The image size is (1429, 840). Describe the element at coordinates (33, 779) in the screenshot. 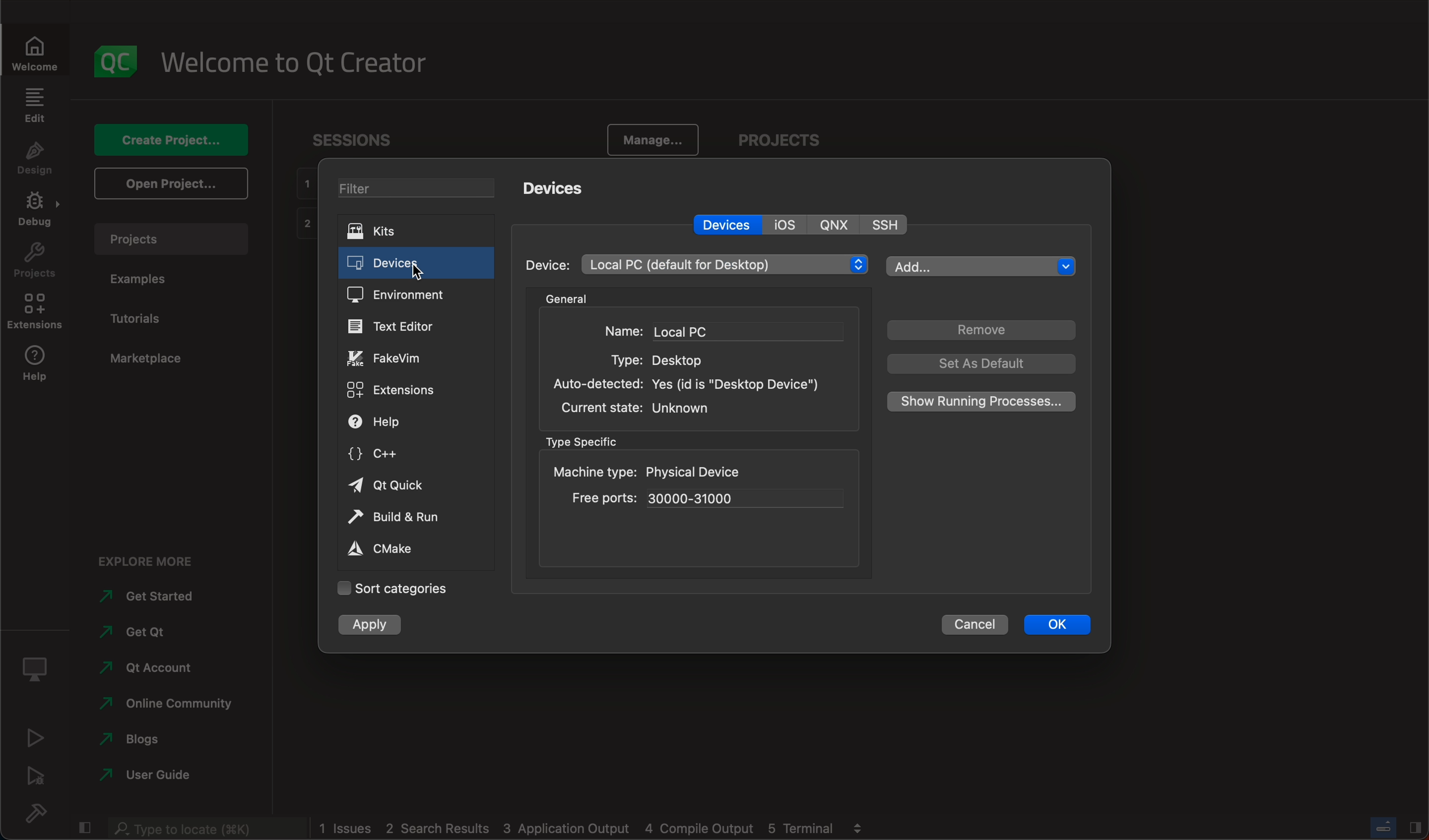

I see `debug` at that location.